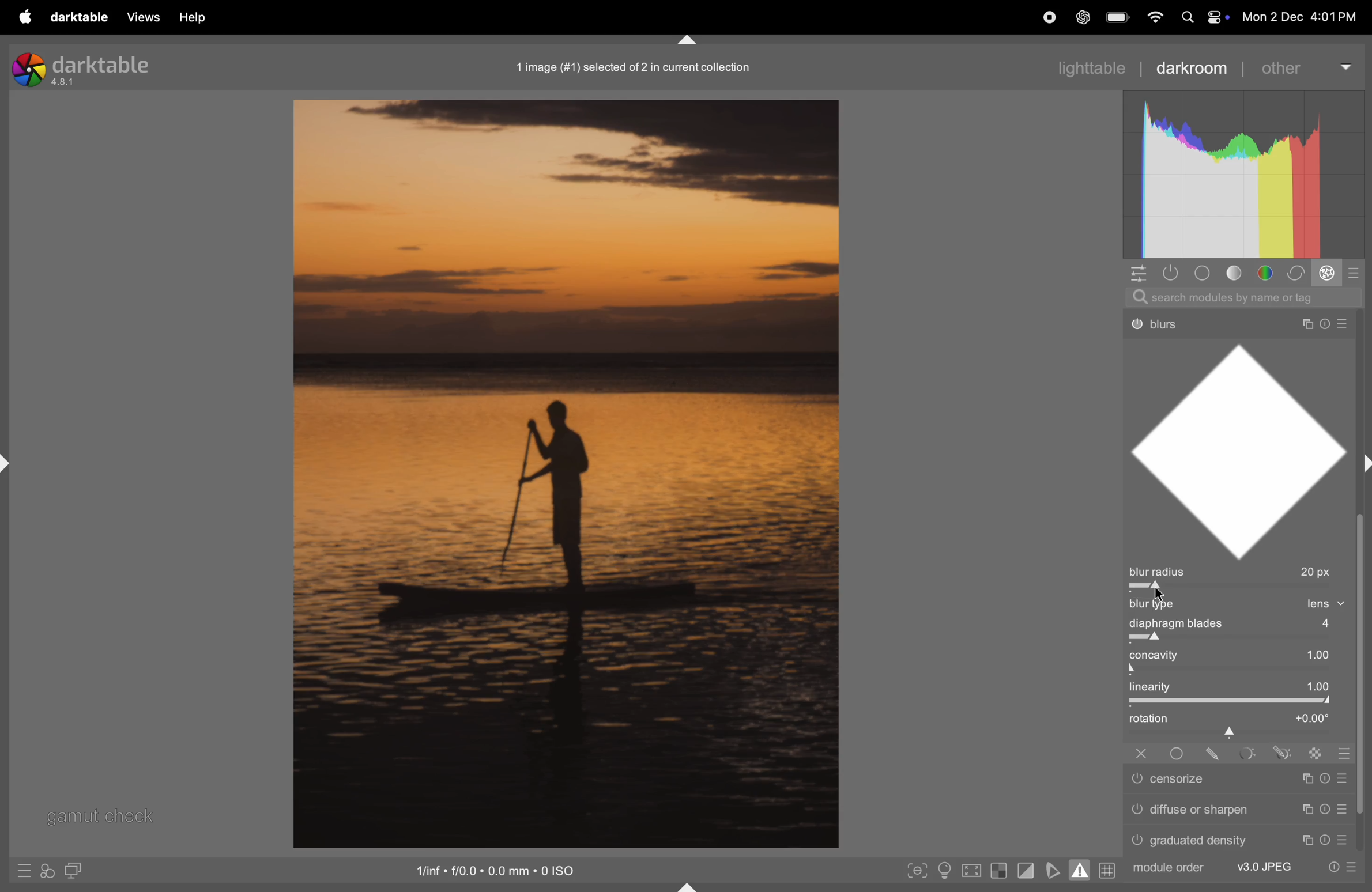  What do you see at coordinates (1239, 781) in the screenshot?
I see `` at bounding box center [1239, 781].